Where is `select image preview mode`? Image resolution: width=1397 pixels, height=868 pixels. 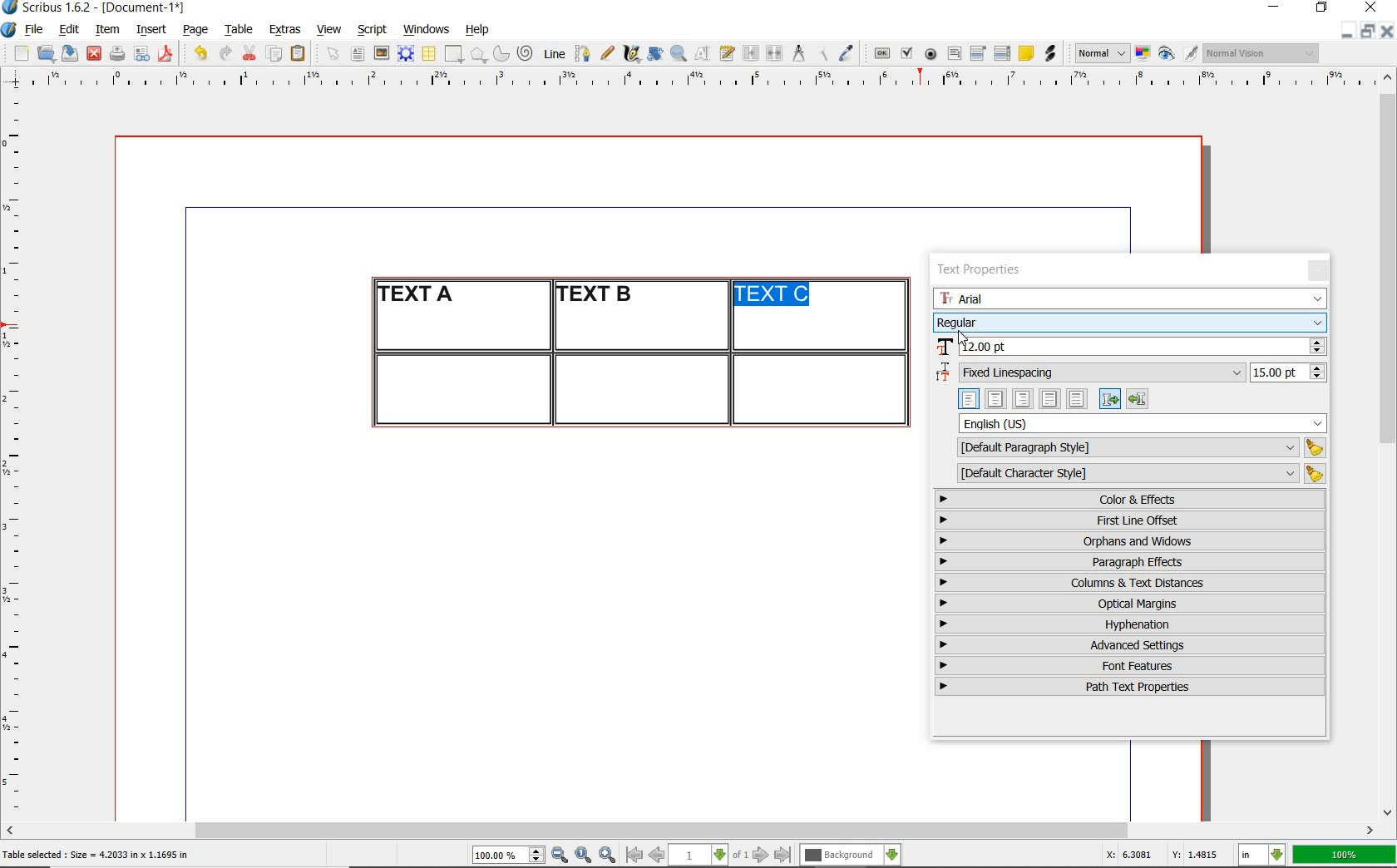
select image preview mode is located at coordinates (1101, 54).